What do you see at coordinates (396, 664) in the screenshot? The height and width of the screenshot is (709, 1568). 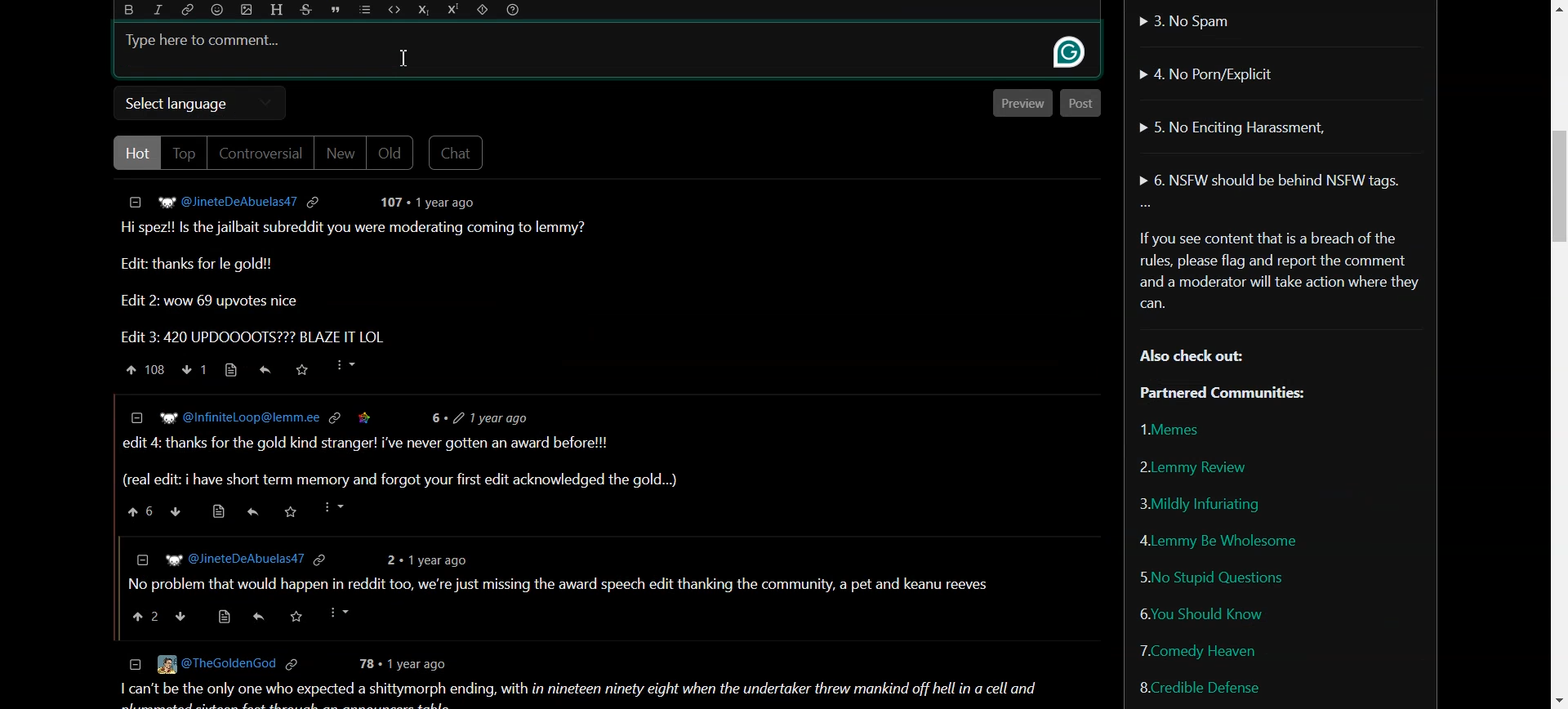 I see `78 + 1 year ago` at bounding box center [396, 664].